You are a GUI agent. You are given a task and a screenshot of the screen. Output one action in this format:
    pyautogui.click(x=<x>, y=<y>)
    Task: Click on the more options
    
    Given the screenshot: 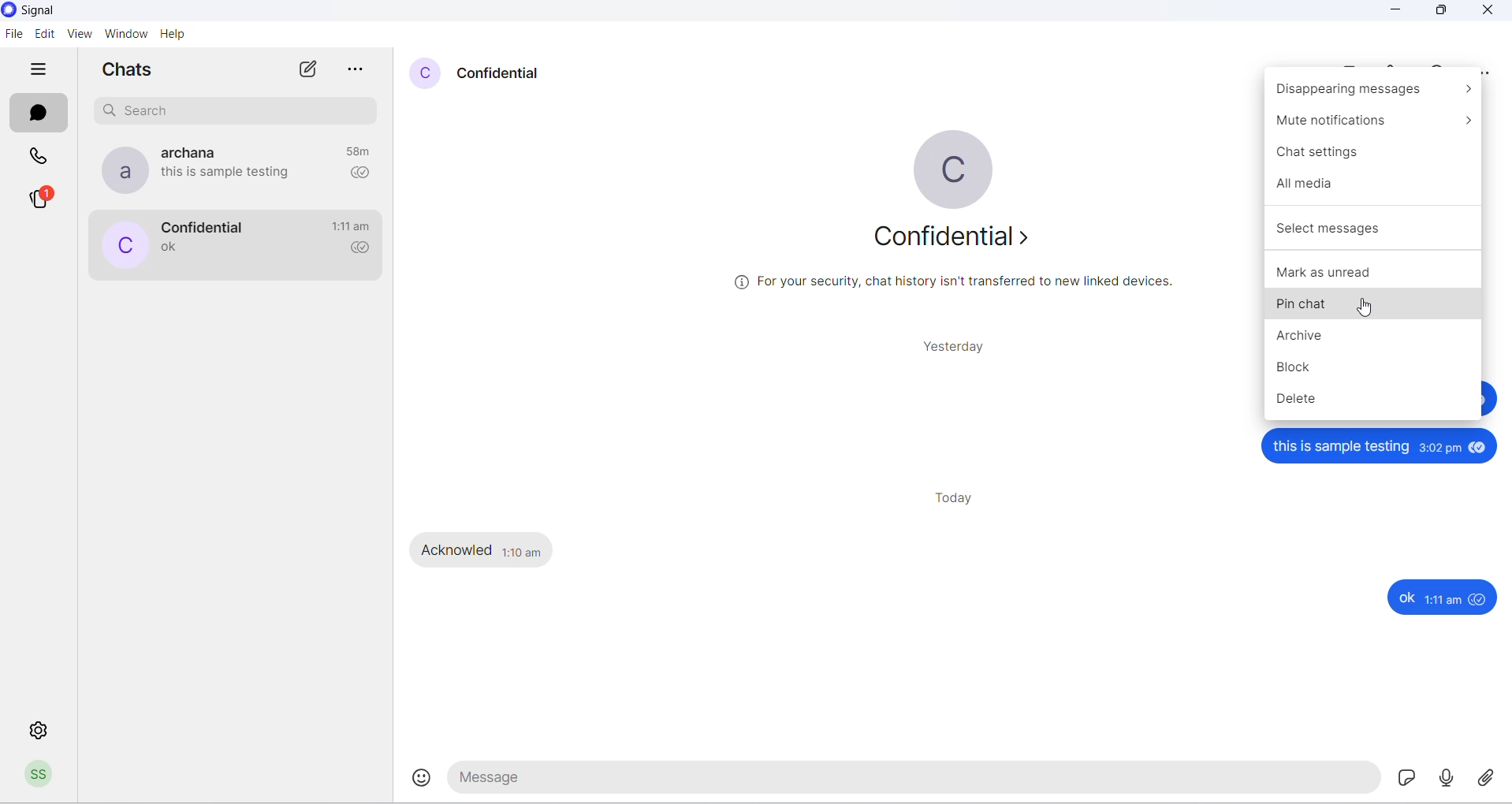 What is the action you would take?
    pyautogui.click(x=1487, y=69)
    